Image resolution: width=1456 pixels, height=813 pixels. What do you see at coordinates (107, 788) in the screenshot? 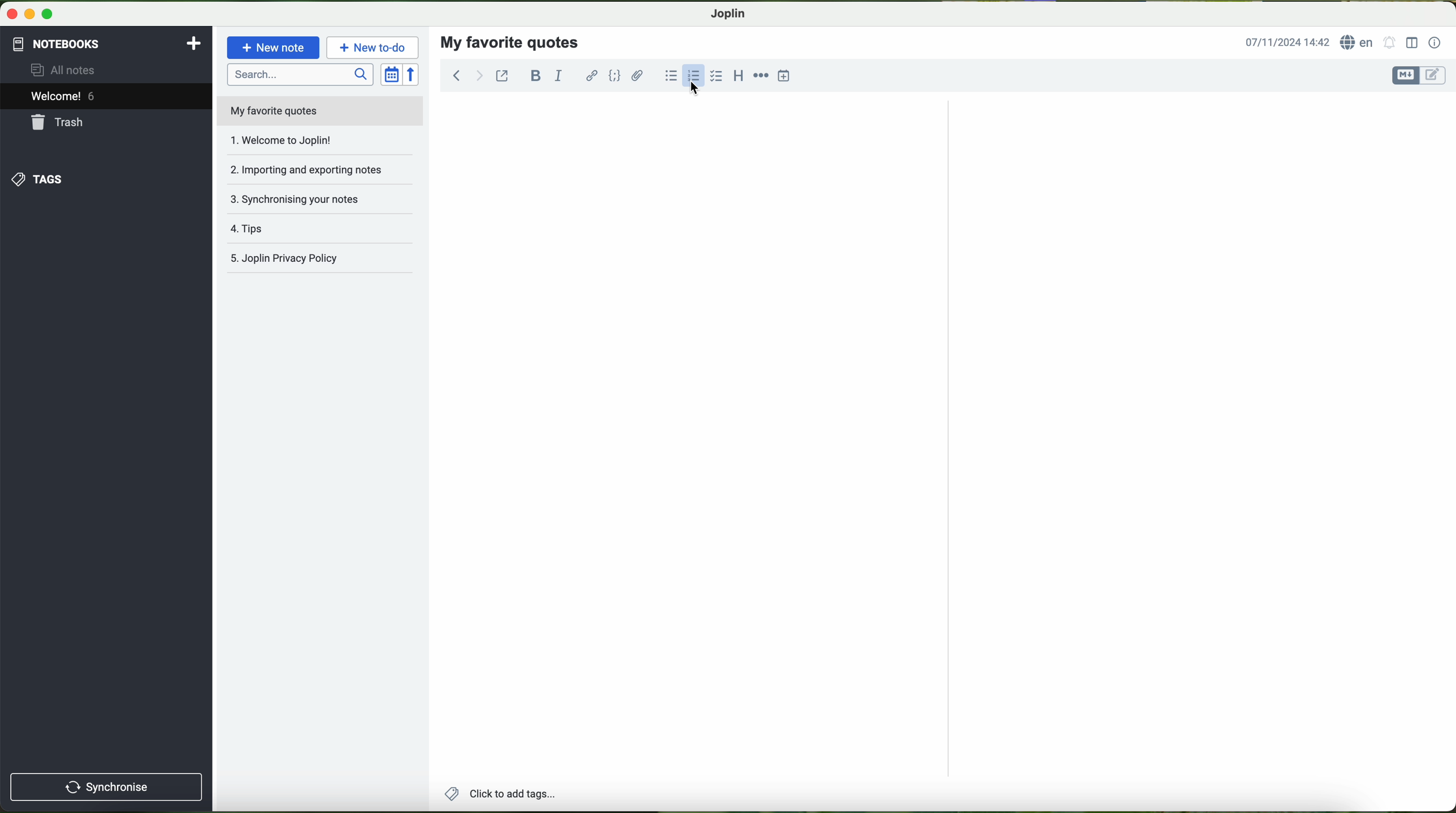
I see `synchronise button` at bounding box center [107, 788].